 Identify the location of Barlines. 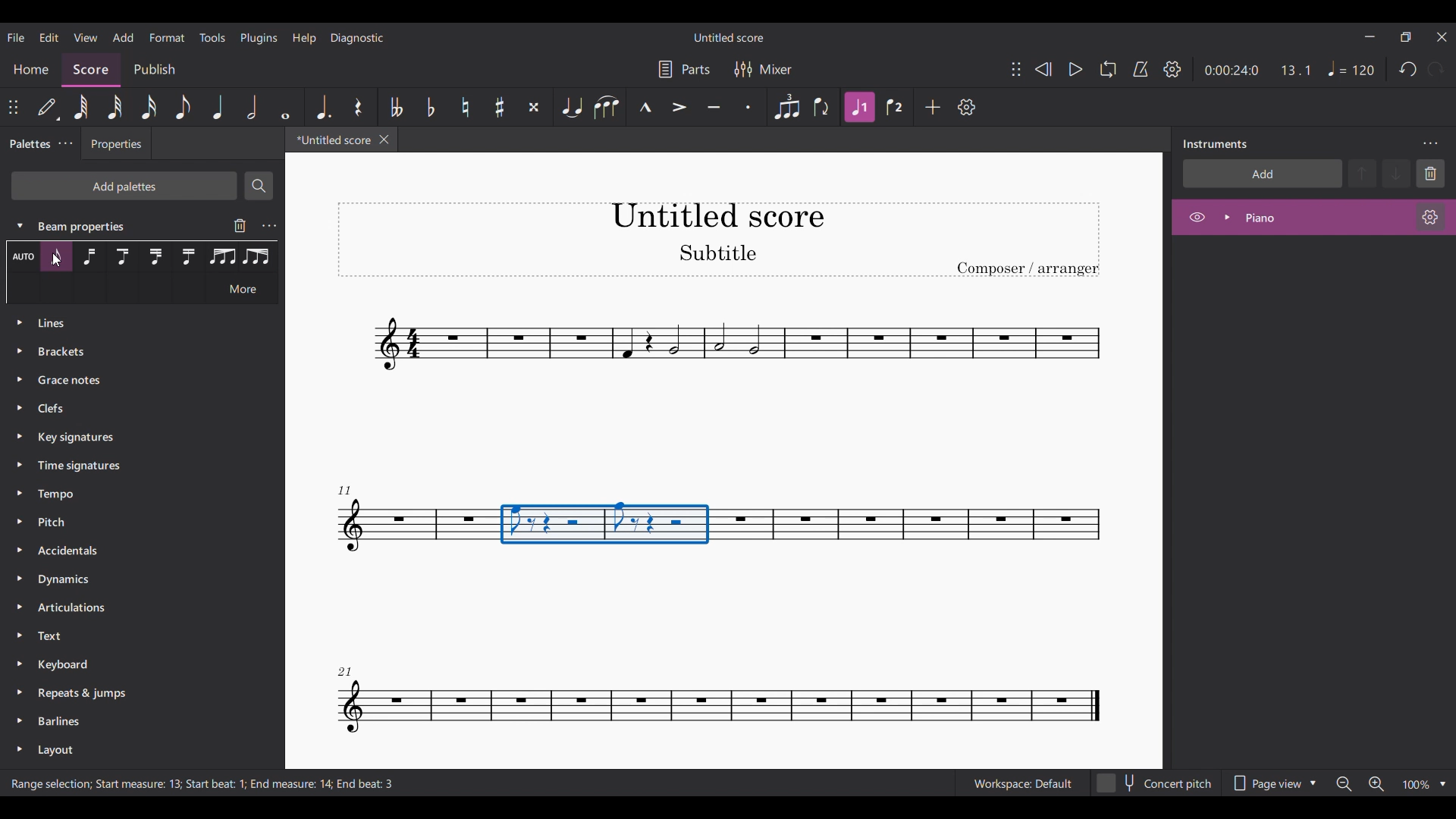
(129, 722).